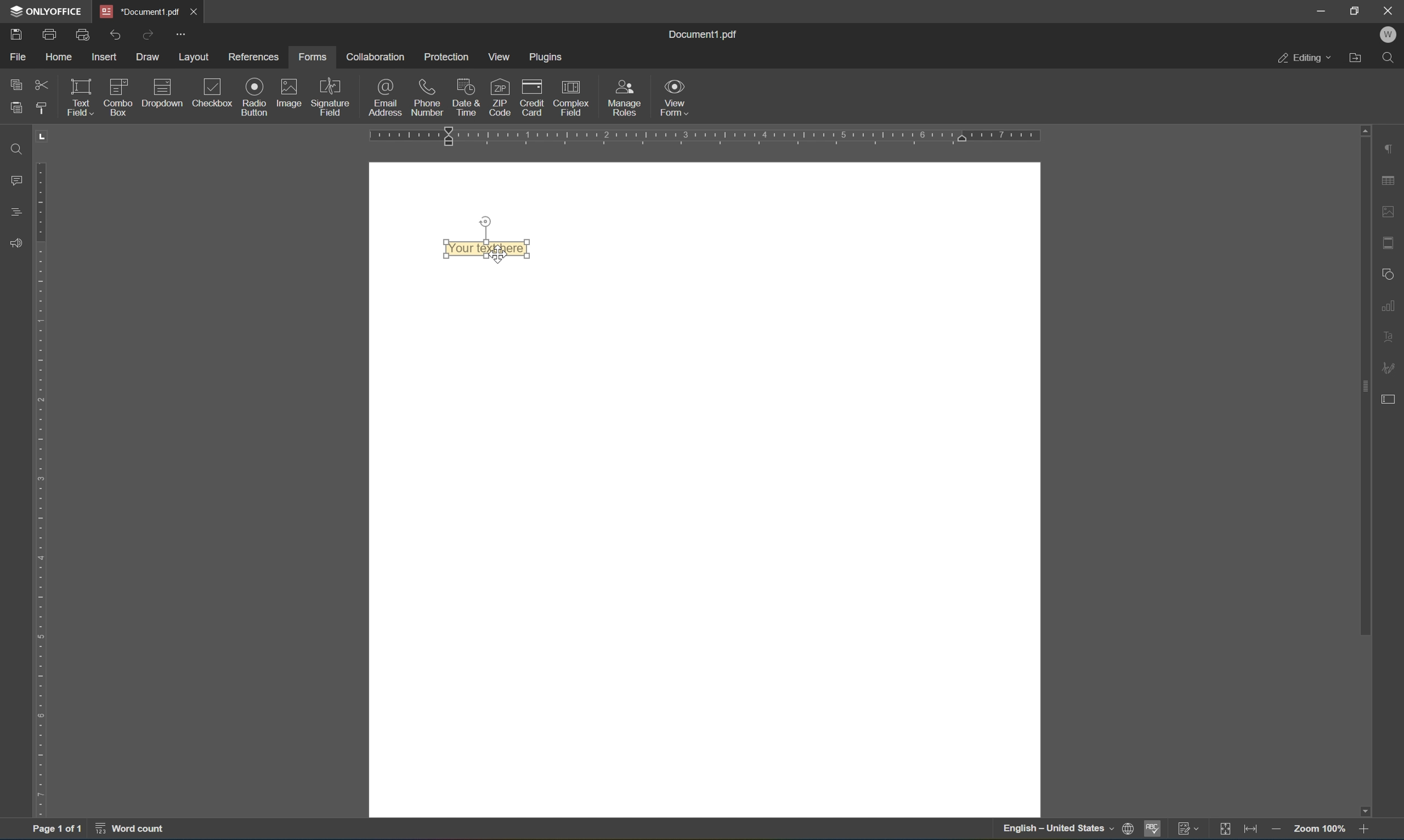 Image resolution: width=1404 pixels, height=840 pixels. I want to click on customize quick access toolbar, so click(182, 31).